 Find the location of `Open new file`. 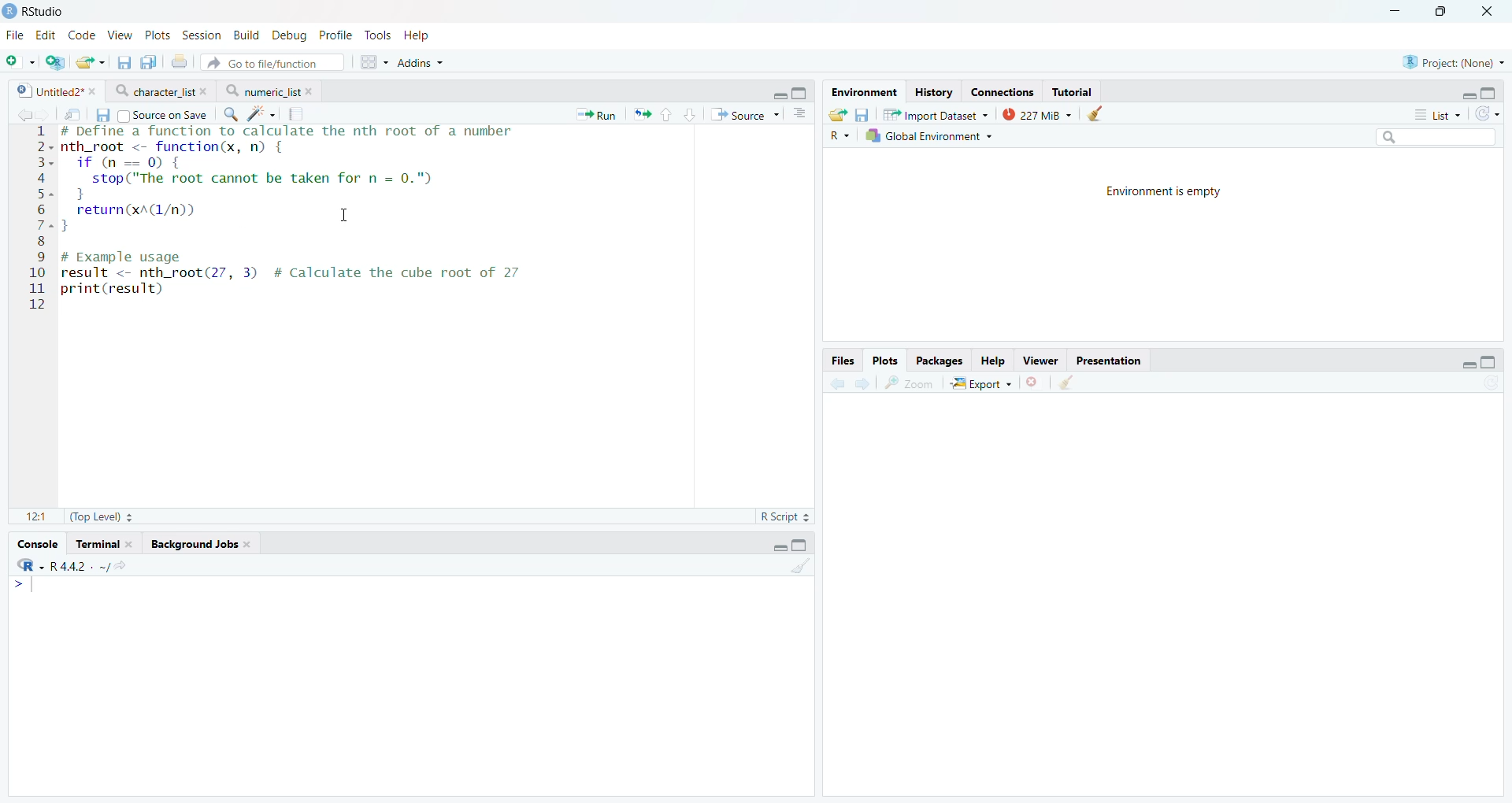

Open new file is located at coordinates (18, 62).